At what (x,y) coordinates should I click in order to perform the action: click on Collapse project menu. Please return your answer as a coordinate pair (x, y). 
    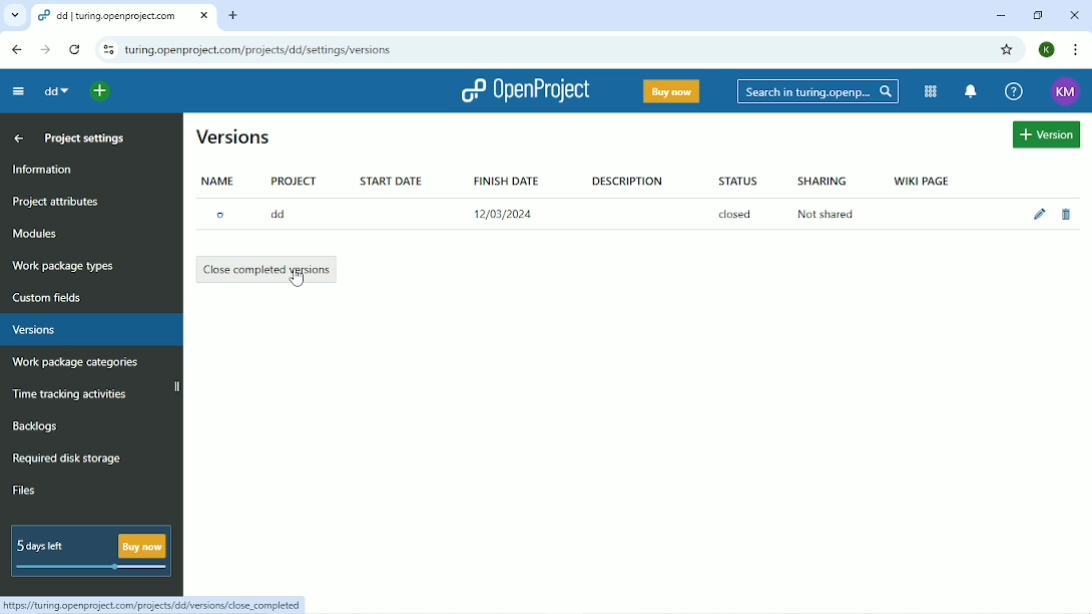
    Looking at the image, I should click on (15, 91).